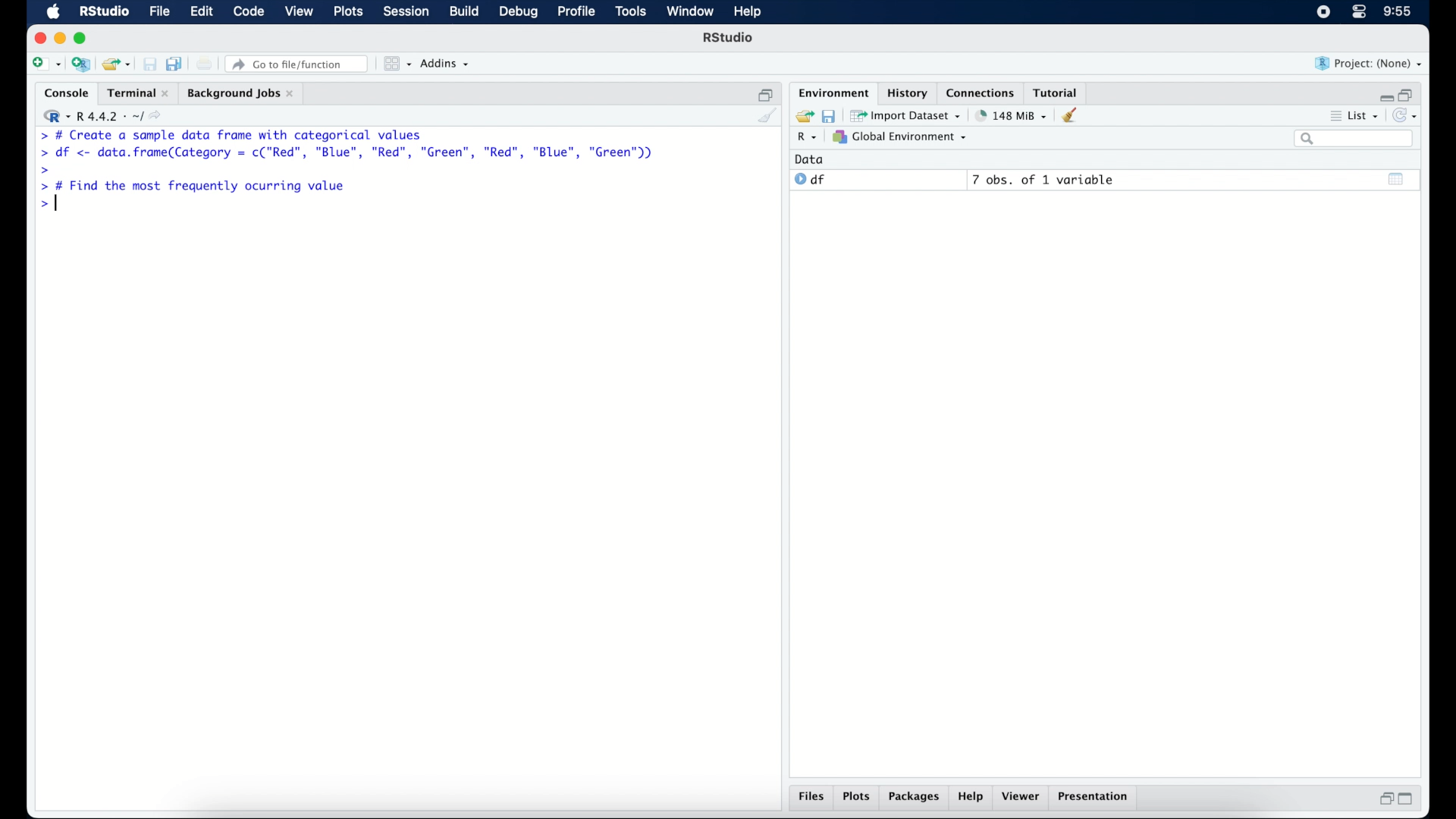 The image size is (1456, 819). I want to click on df, so click(811, 180).